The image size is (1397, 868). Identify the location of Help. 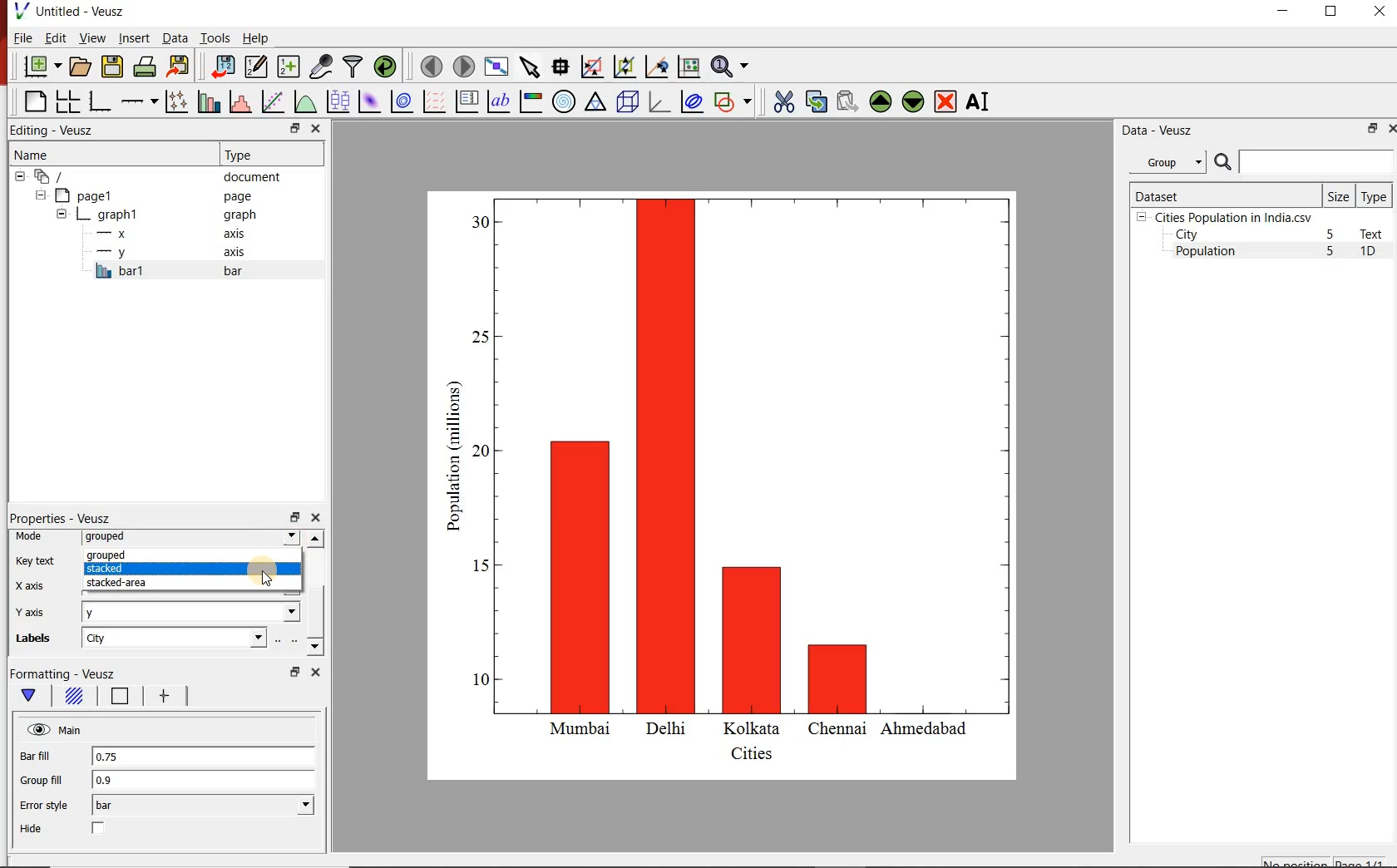
(257, 37).